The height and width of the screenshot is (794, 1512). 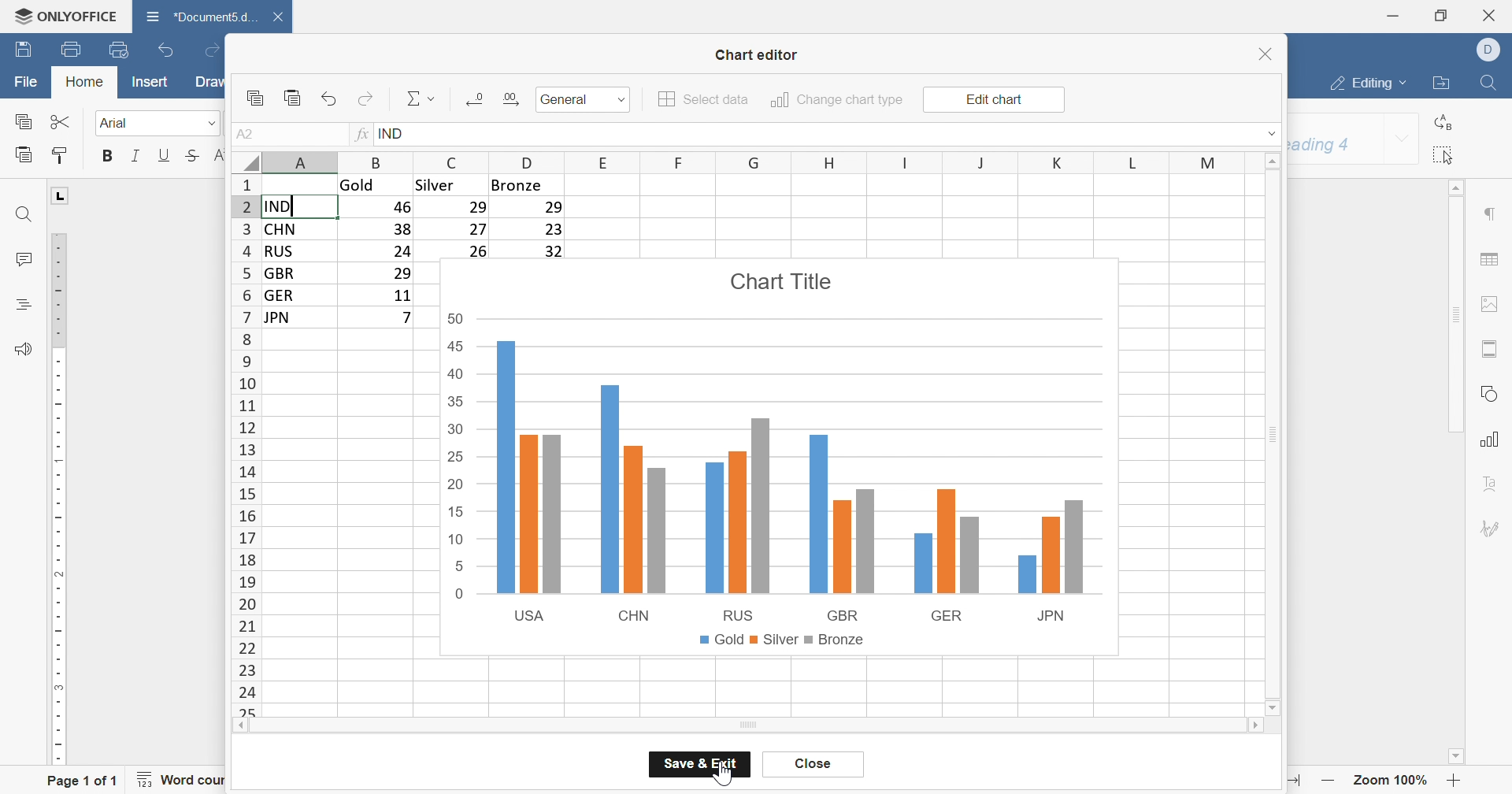 I want to click on close, so click(x=1491, y=15).